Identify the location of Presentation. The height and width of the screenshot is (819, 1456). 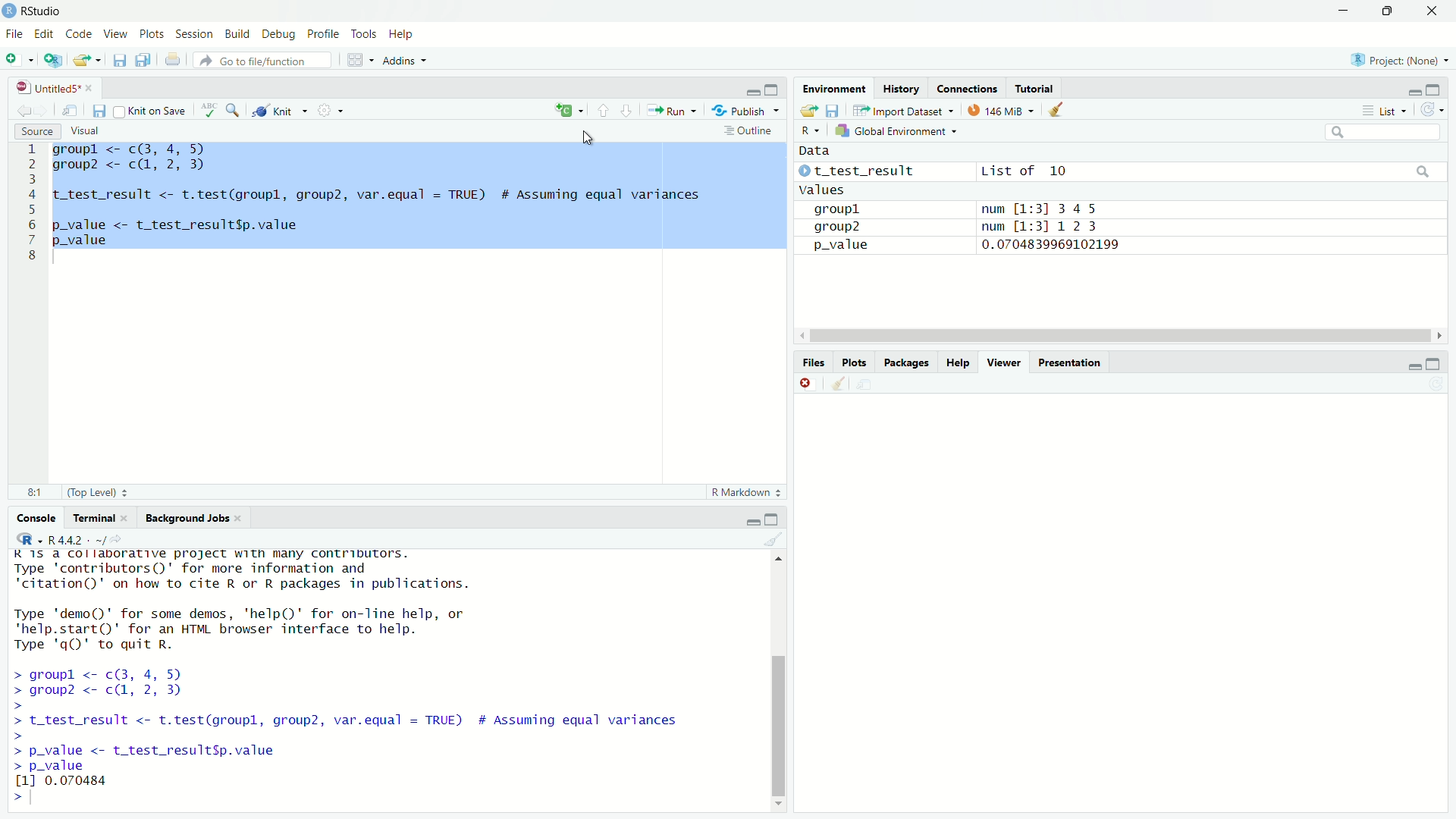
(1072, 362).